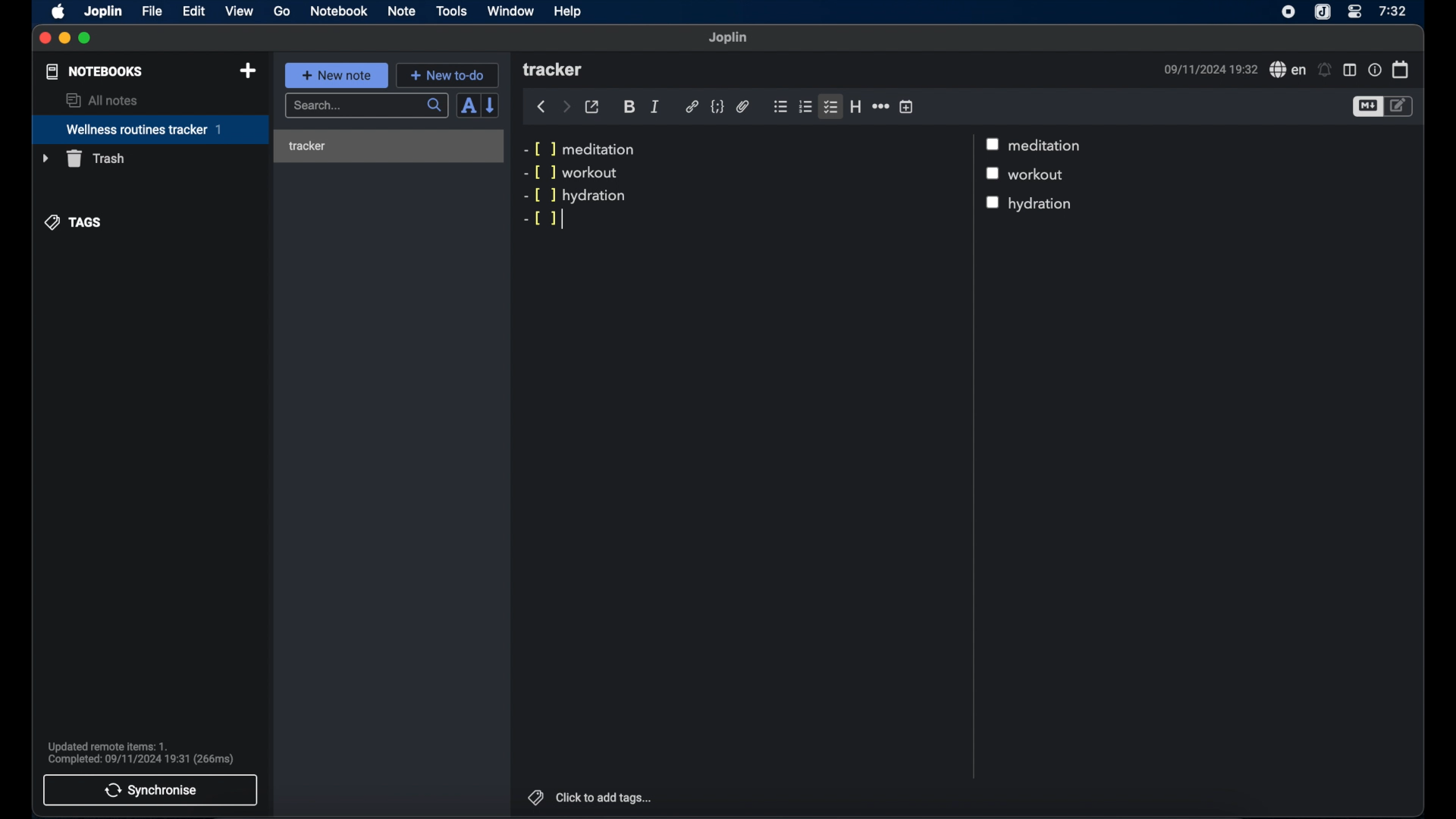 The width and height of the screenshot is (1456, 819). What do you see at coordinates (491, 105) in the screenshot?
I see `reverse sort order` at bounding box center [491, 105].